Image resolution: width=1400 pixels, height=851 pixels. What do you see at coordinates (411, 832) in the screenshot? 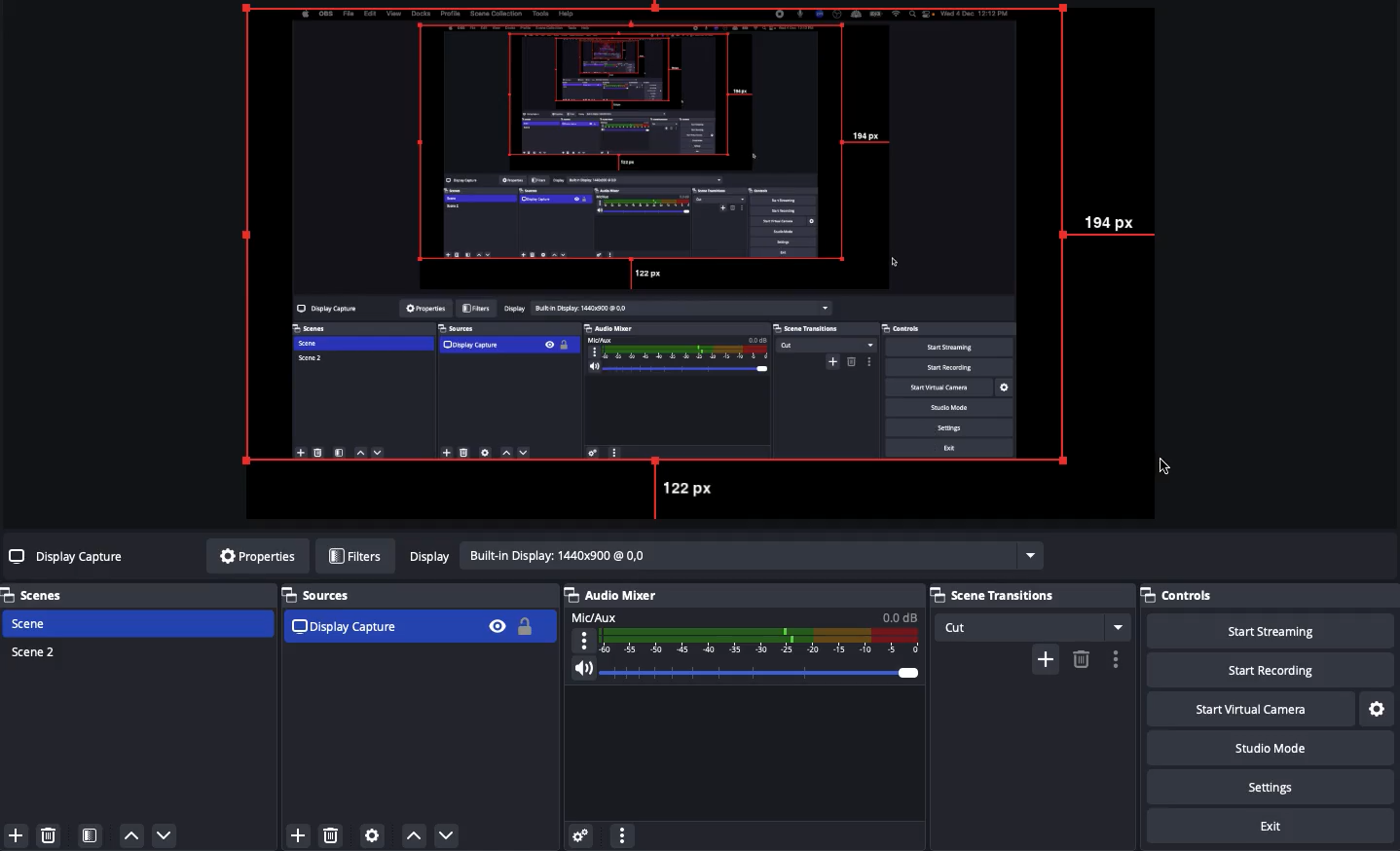
I see `Up` at bounding box center [411, 832].